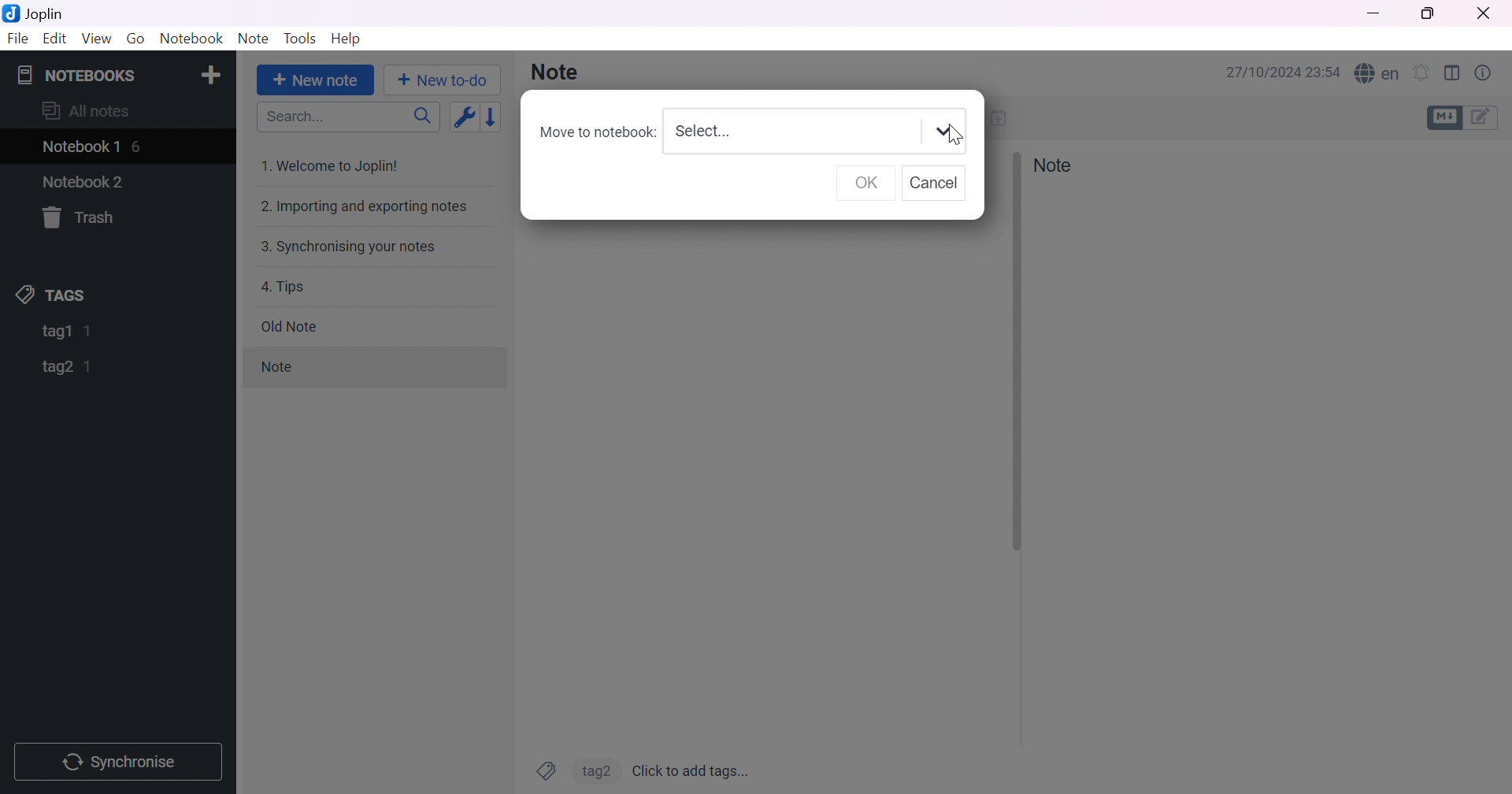 The image size is (1512, 794). What do you see at coordinates (1488, 72) in the screenshot?
I see `Note properties` at bounding box center [1488, 72].